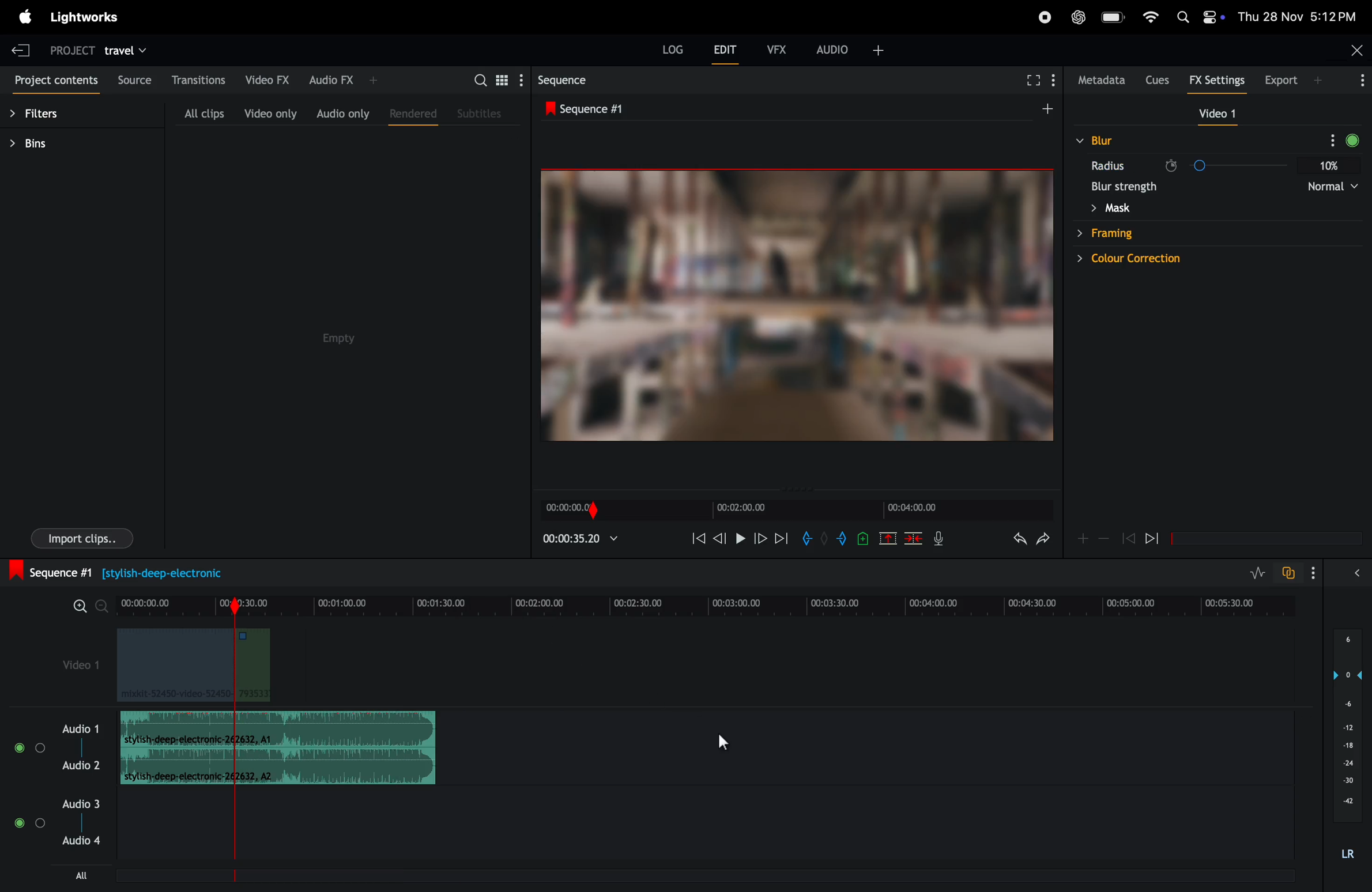 This screenshot has width=1372, height=892. I want to click on remove market section, so click(887, 541).